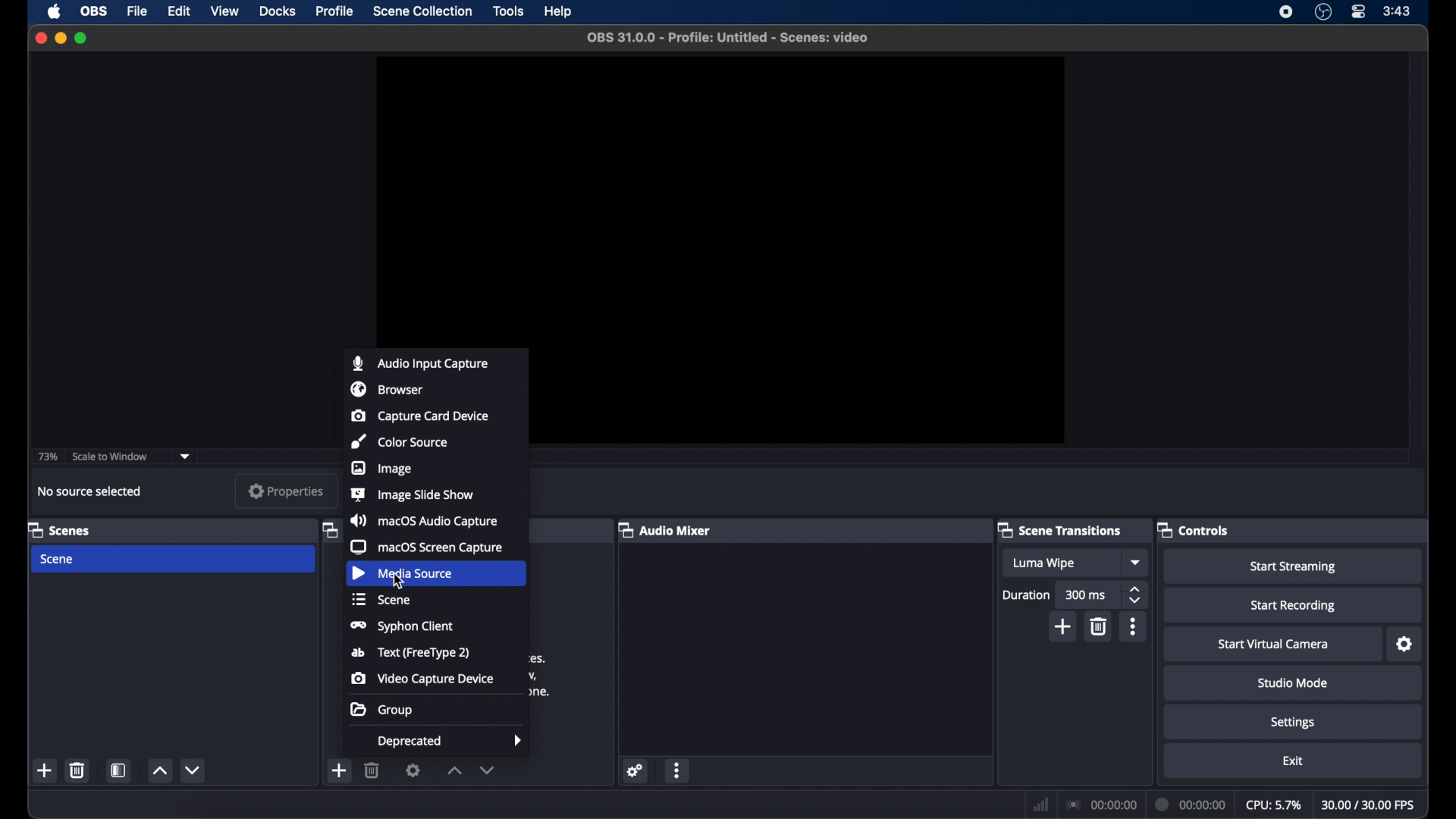  What do you see at coordinates (83, 38) in the screenshot?
I see `maximize` at bounding box center [83, 38].